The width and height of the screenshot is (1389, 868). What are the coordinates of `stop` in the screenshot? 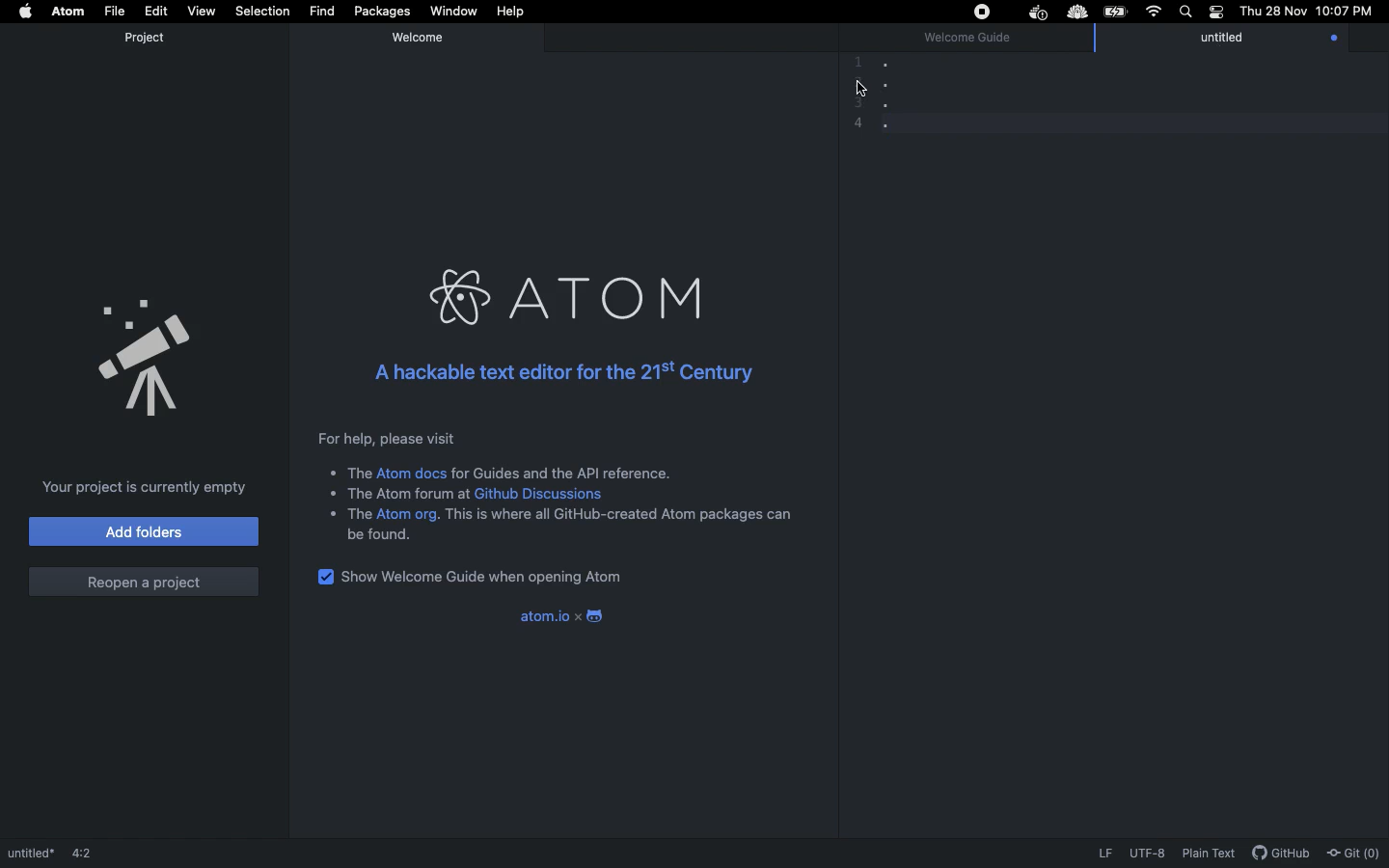 It's located at (980, 12).